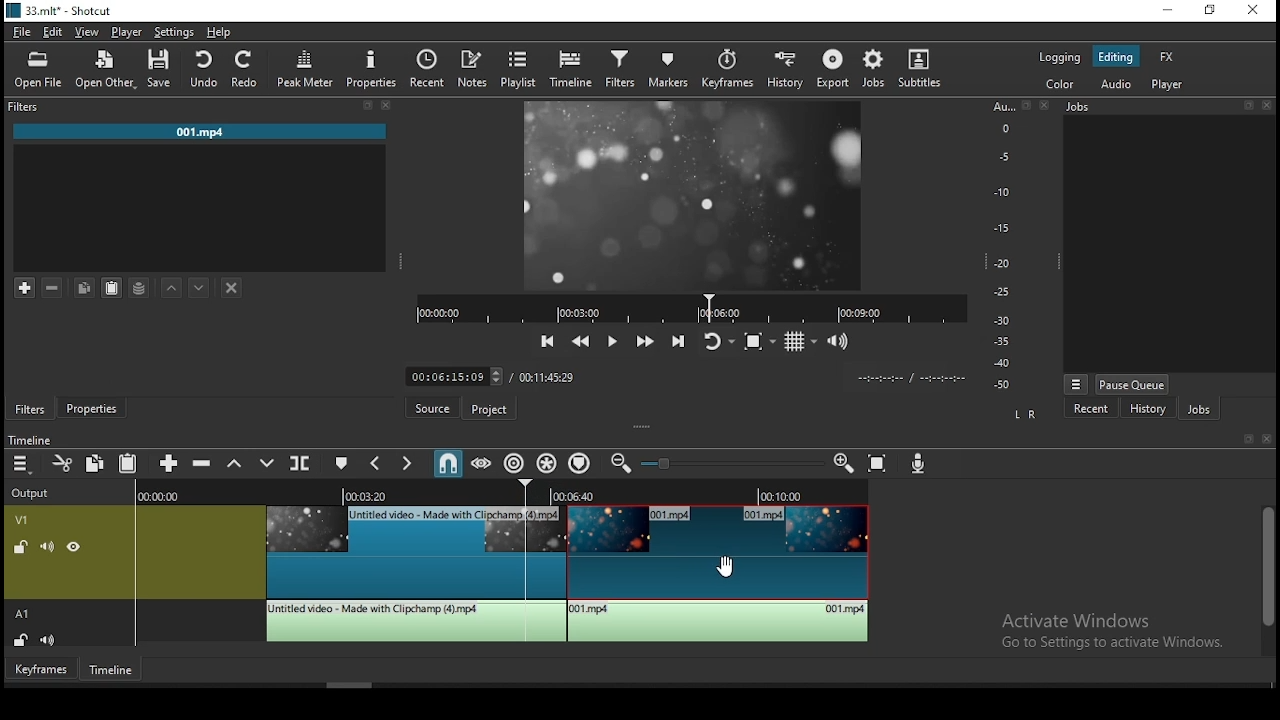 This screenshot has width=1280, height=720. Describe the element at coordinates (691, 307) in the screenshot. I see `video progress bar` at that location.